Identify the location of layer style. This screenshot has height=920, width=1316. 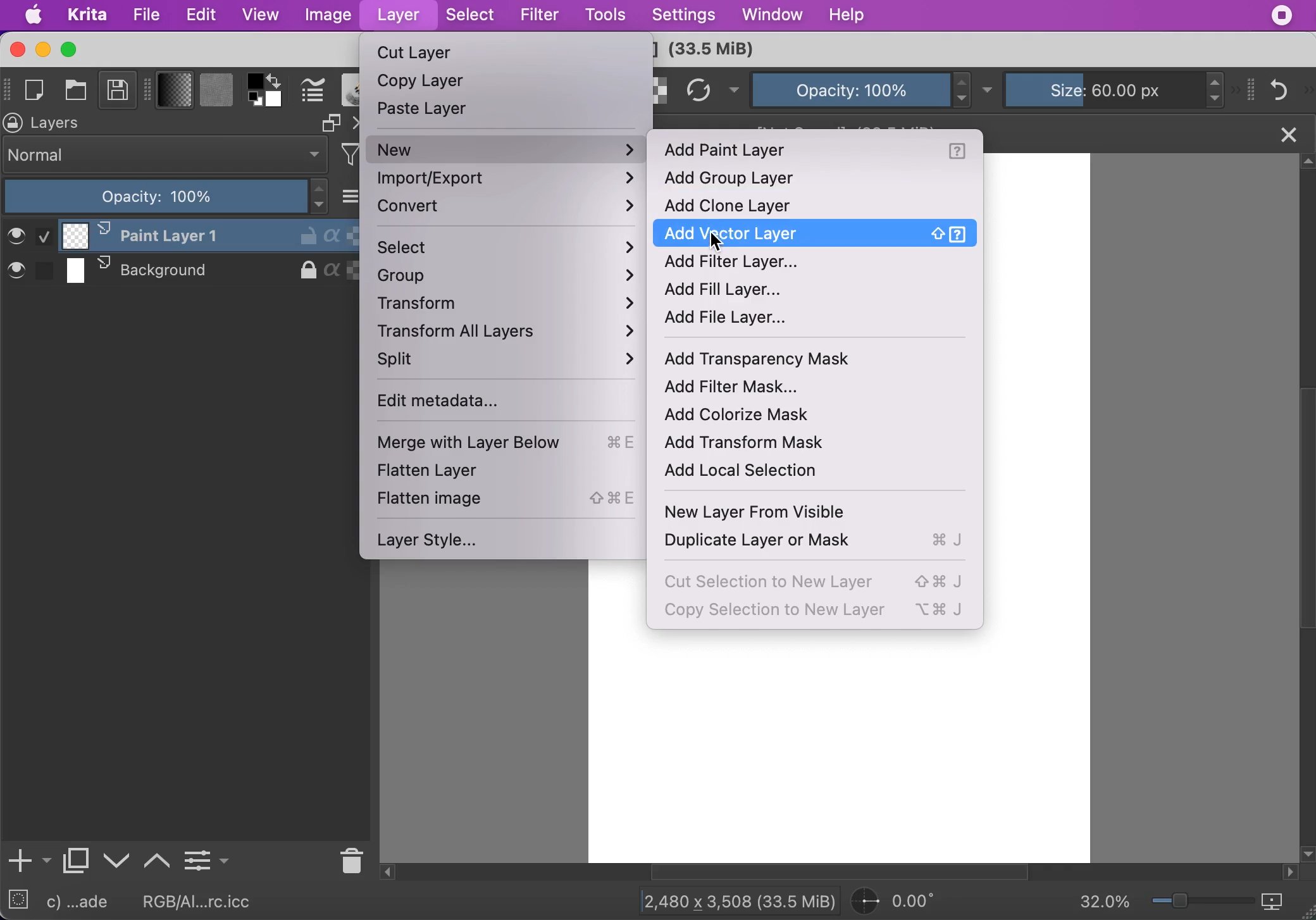
(435, 540).